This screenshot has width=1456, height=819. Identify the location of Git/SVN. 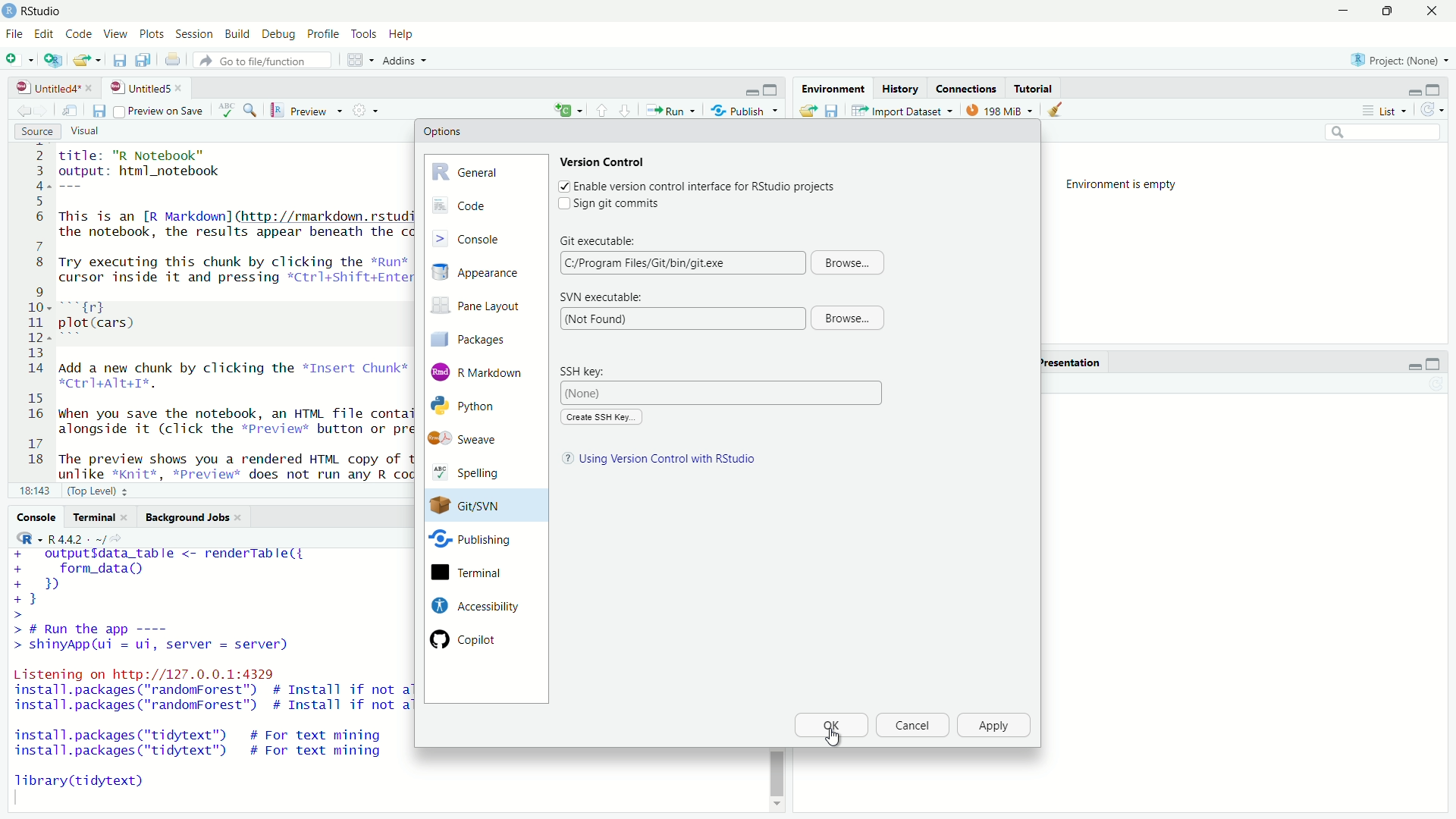
(472, 506).